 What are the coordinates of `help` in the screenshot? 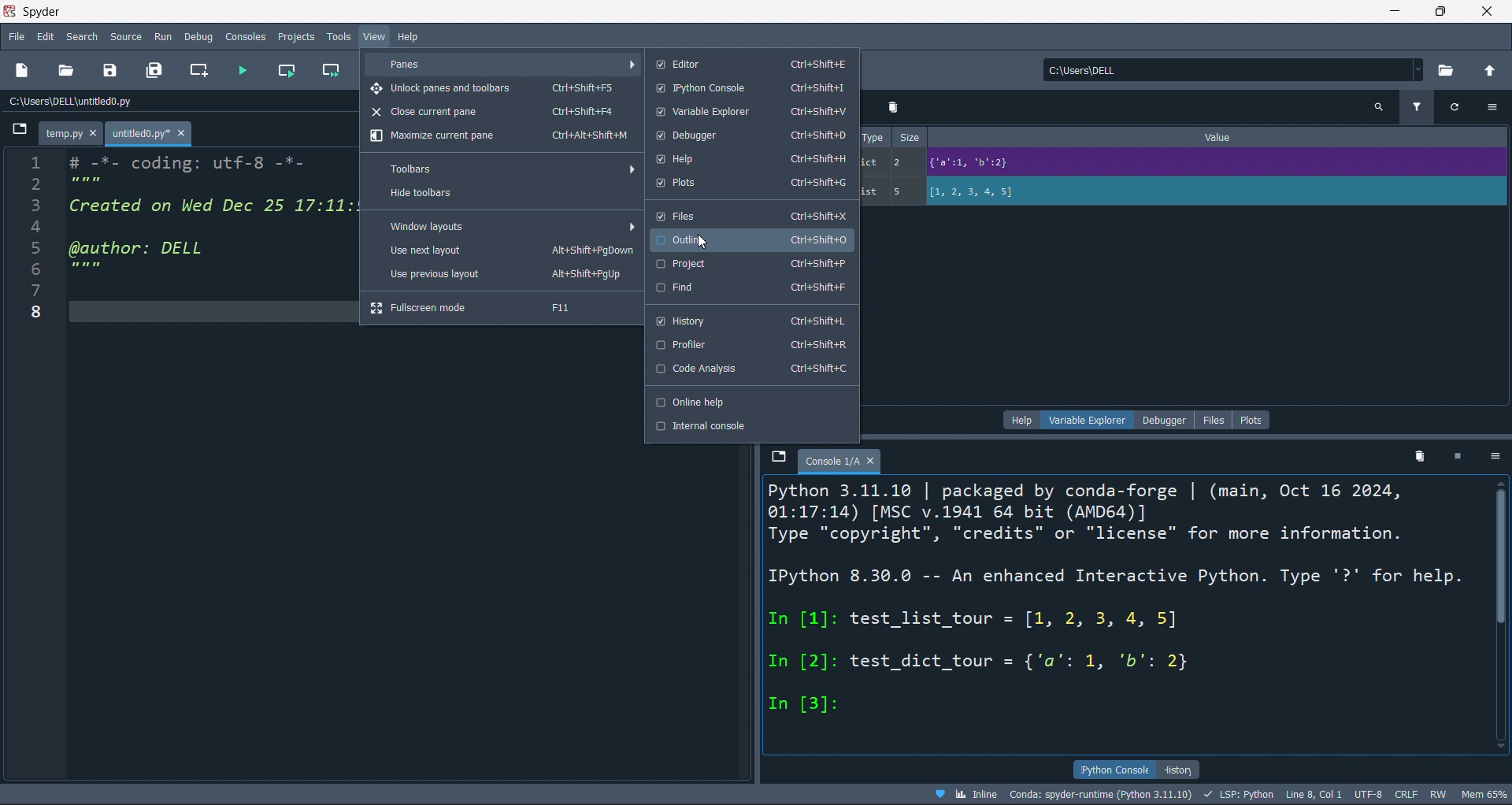 It's located at (750, 160).